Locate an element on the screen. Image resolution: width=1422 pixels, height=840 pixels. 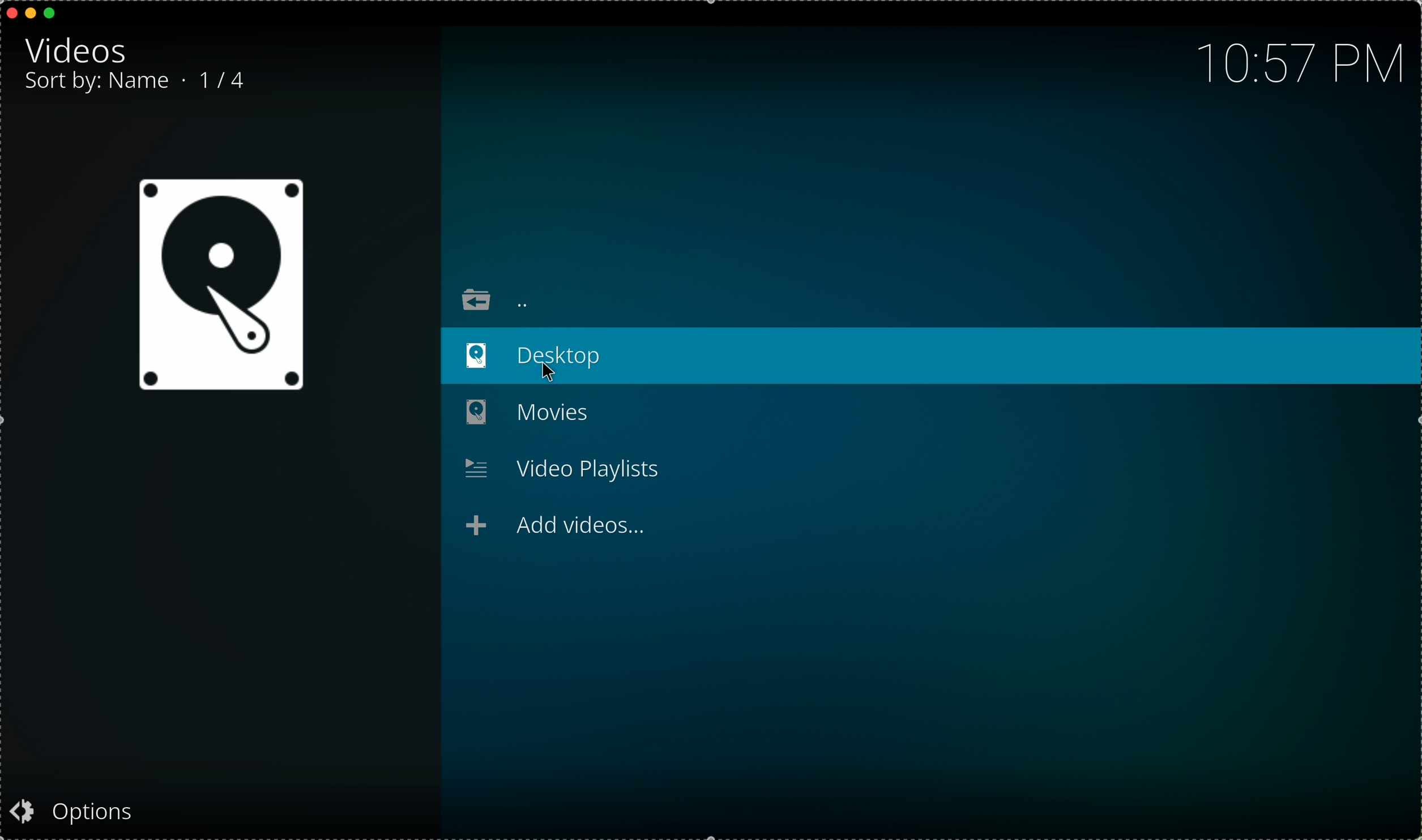
desktop is located at coordinates (927, 358).